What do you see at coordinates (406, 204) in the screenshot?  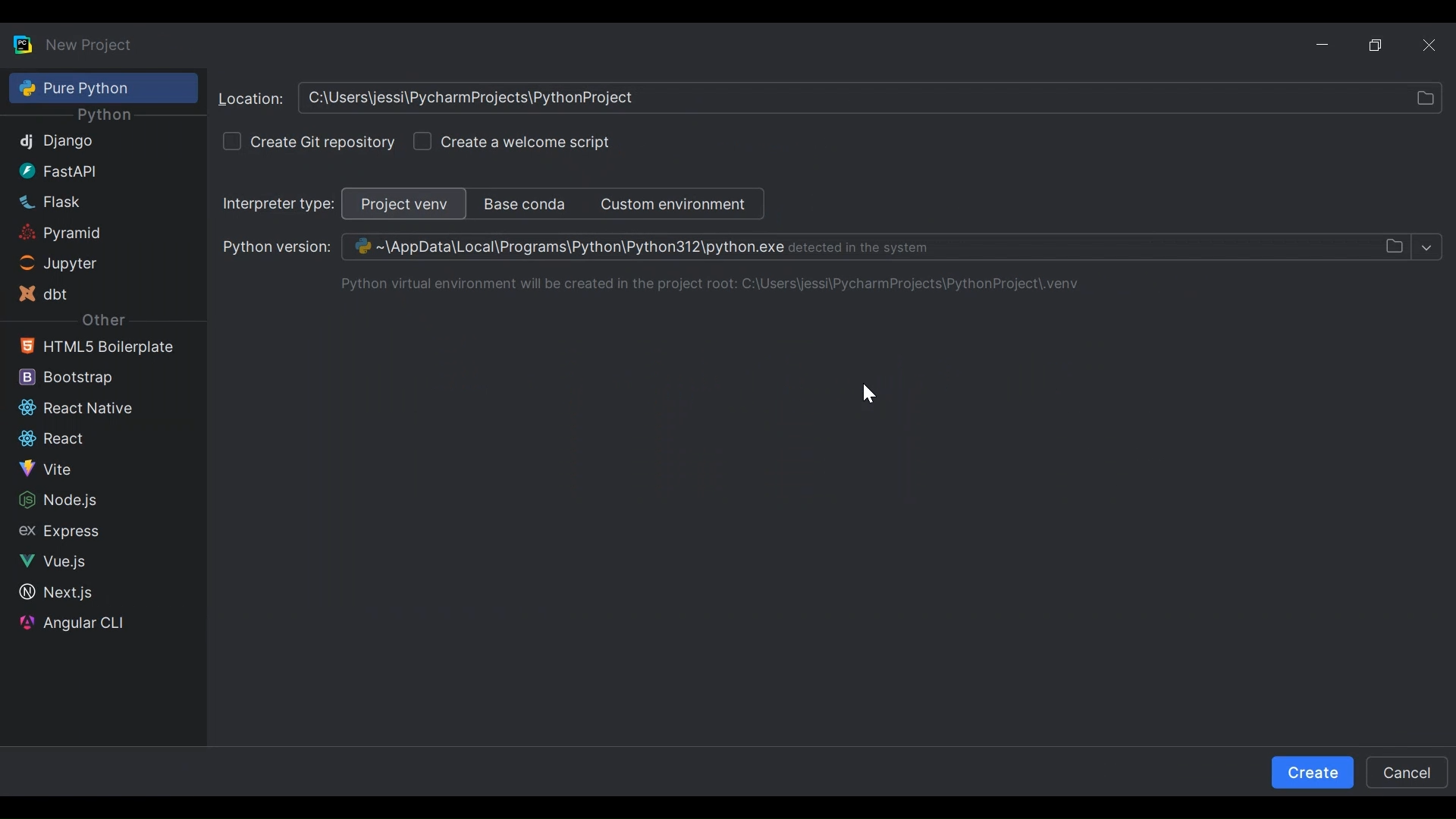 I see `Project View` at bounding box center [406, 204].